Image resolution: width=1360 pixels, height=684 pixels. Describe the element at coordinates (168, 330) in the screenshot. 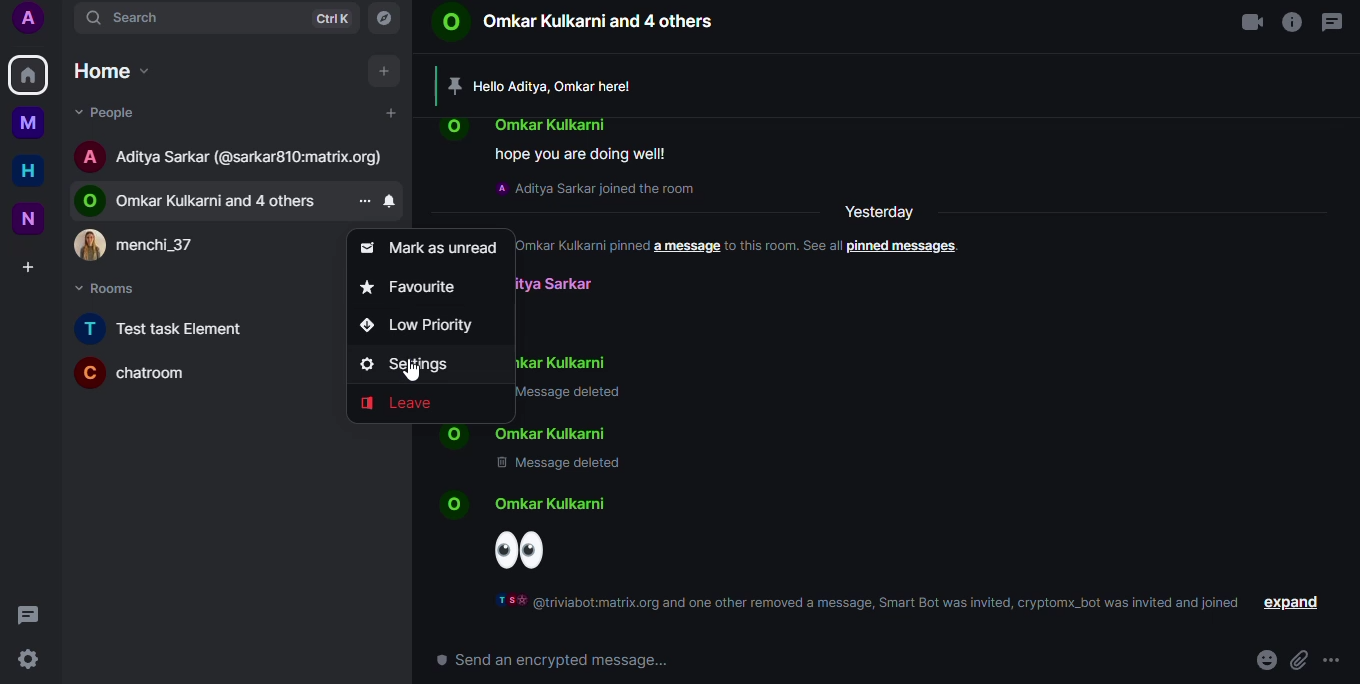

I see `room` at that location.